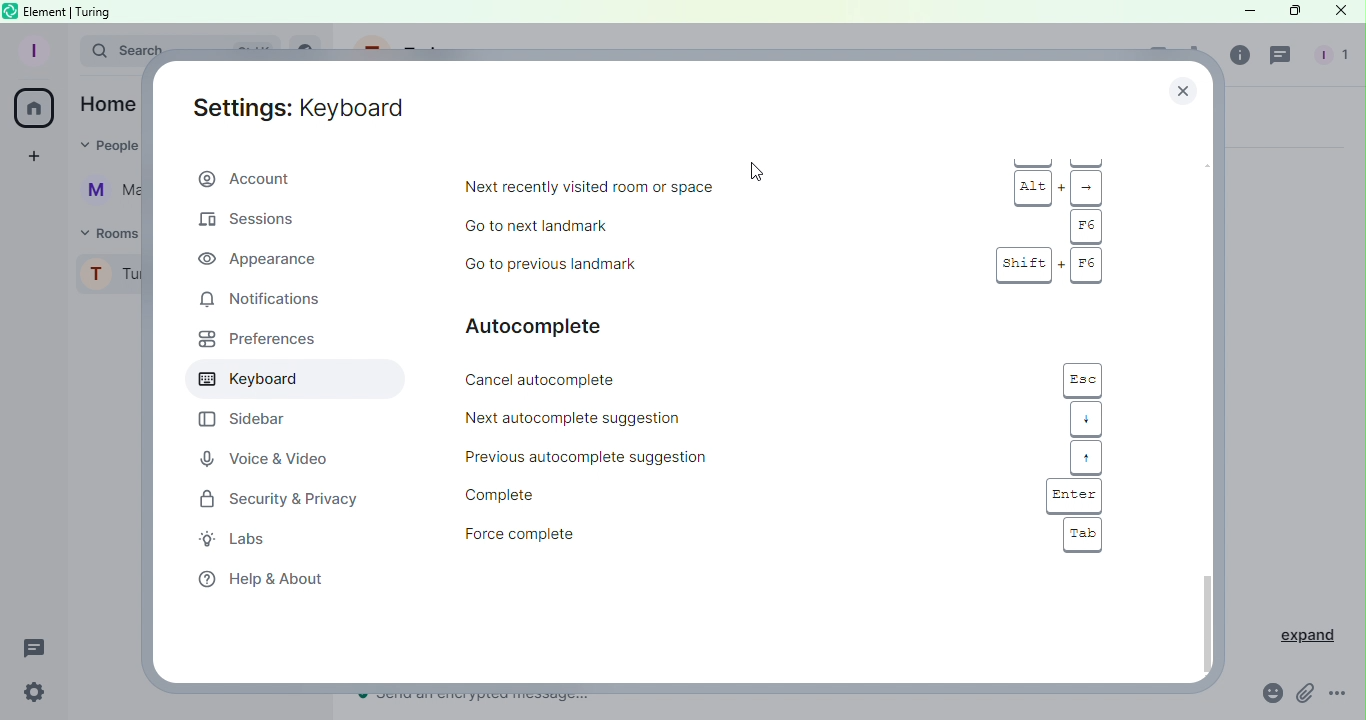  I want to click on More Options, so click(1340, 695).